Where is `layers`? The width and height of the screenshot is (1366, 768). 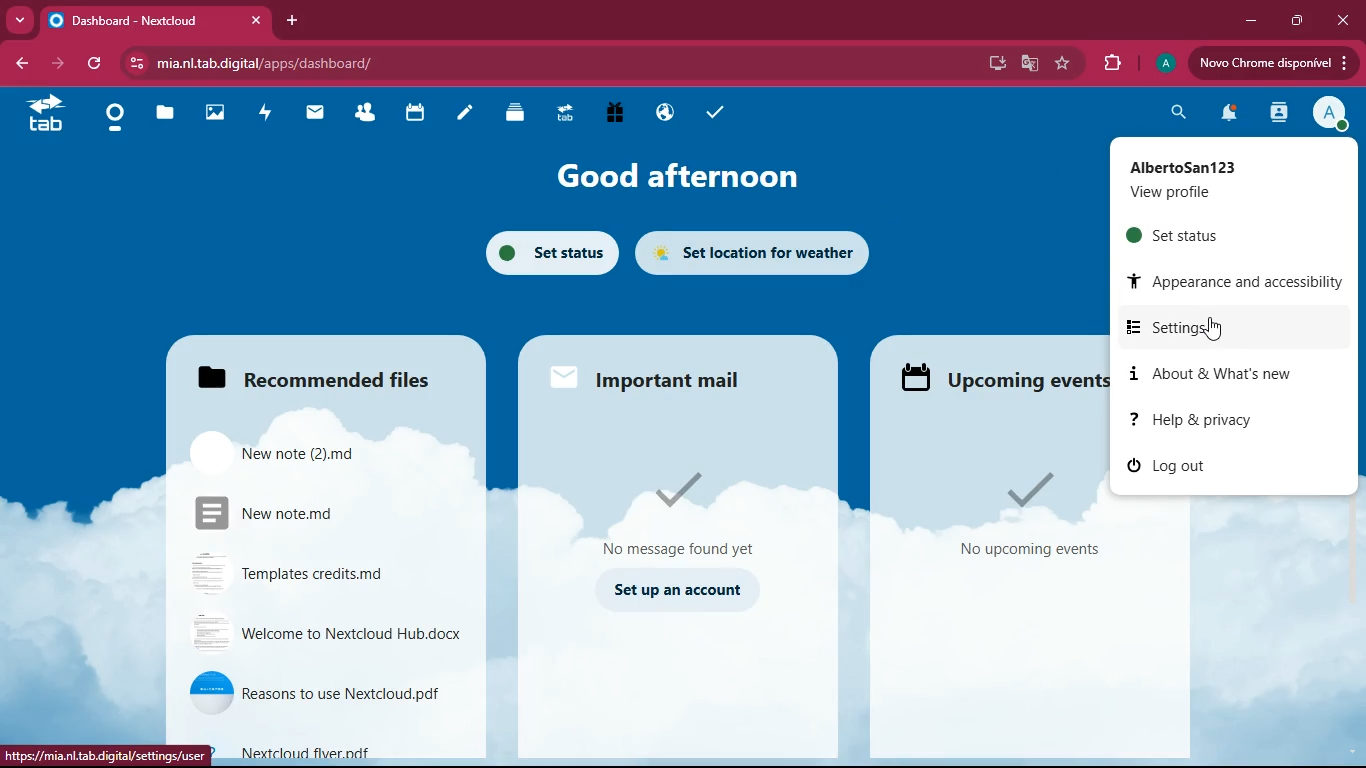 layers is located at coordinates (509, 113).